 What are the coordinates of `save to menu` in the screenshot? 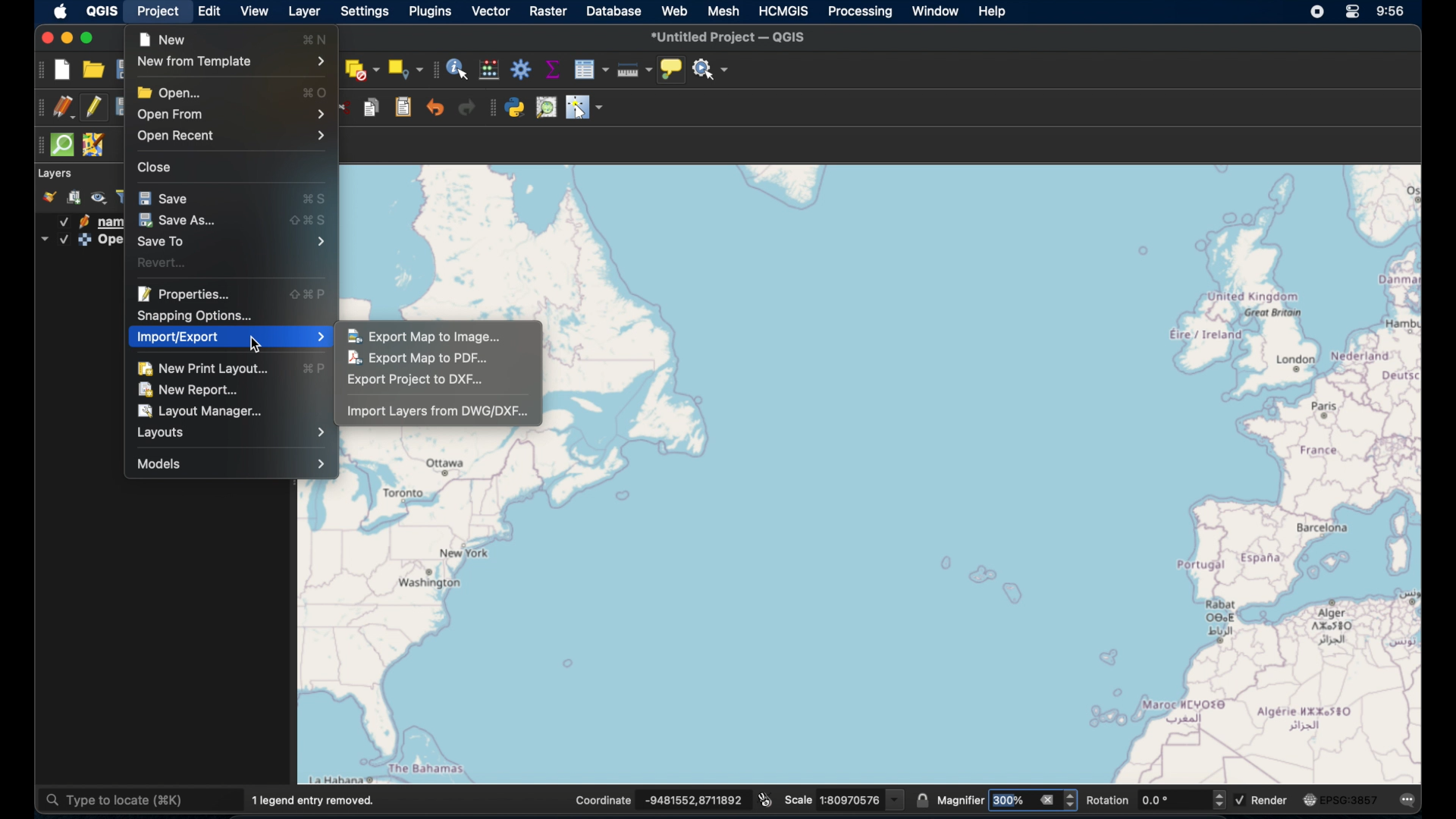 It's located at (232, 241).